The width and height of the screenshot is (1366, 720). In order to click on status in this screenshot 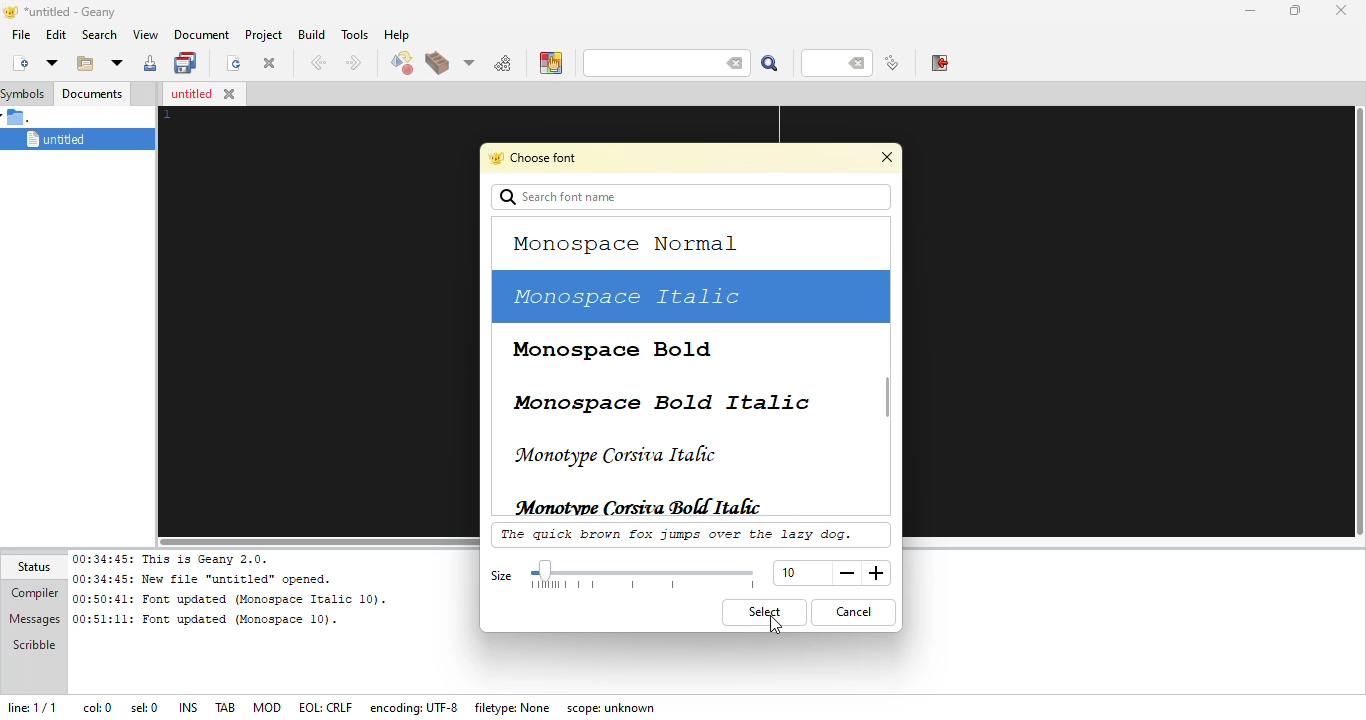, I will do `click(38, 567)`.